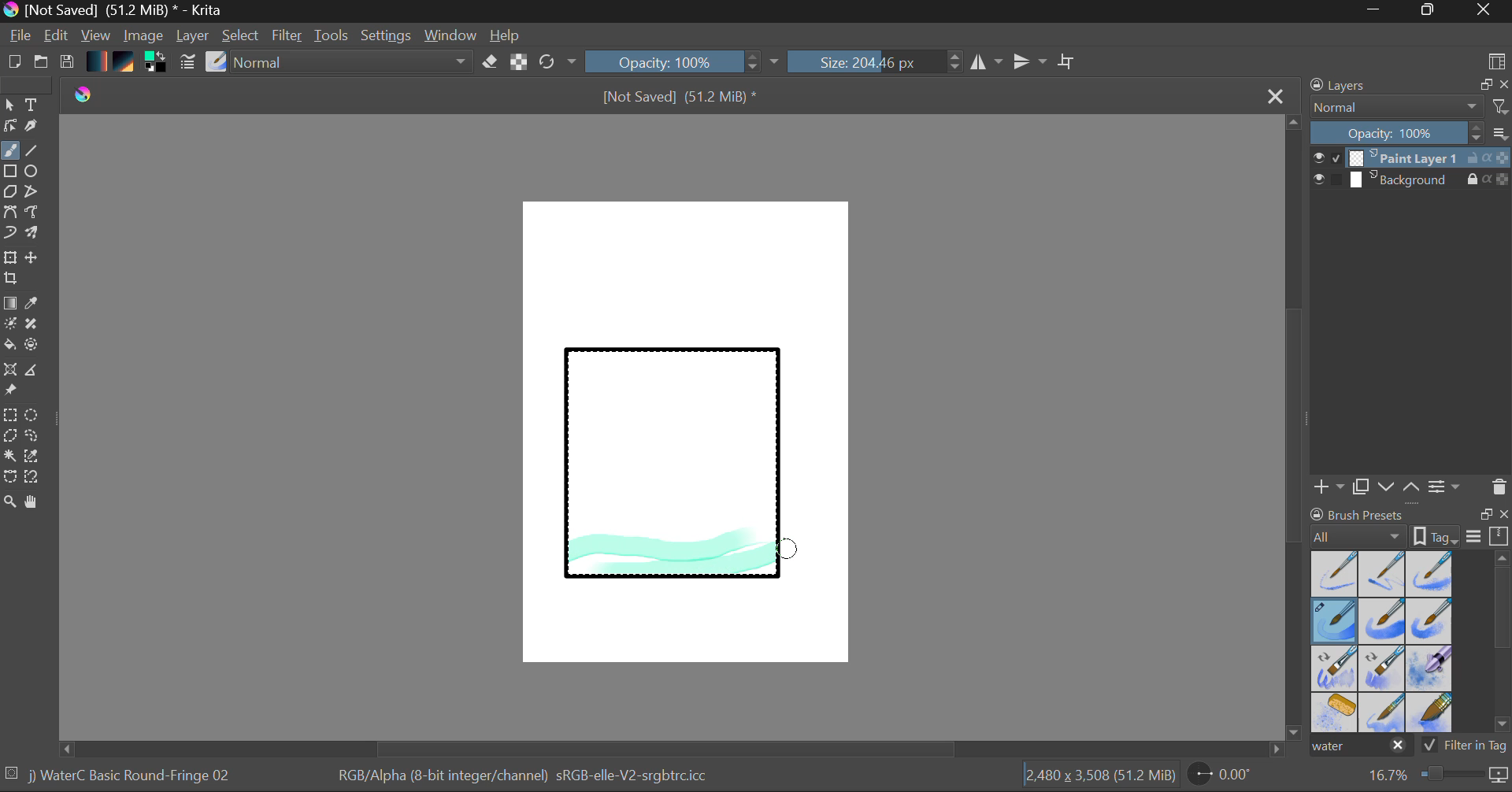  Describe the element at coordinates (684, 61) in the screenshot. I see `Opacity` at that location.